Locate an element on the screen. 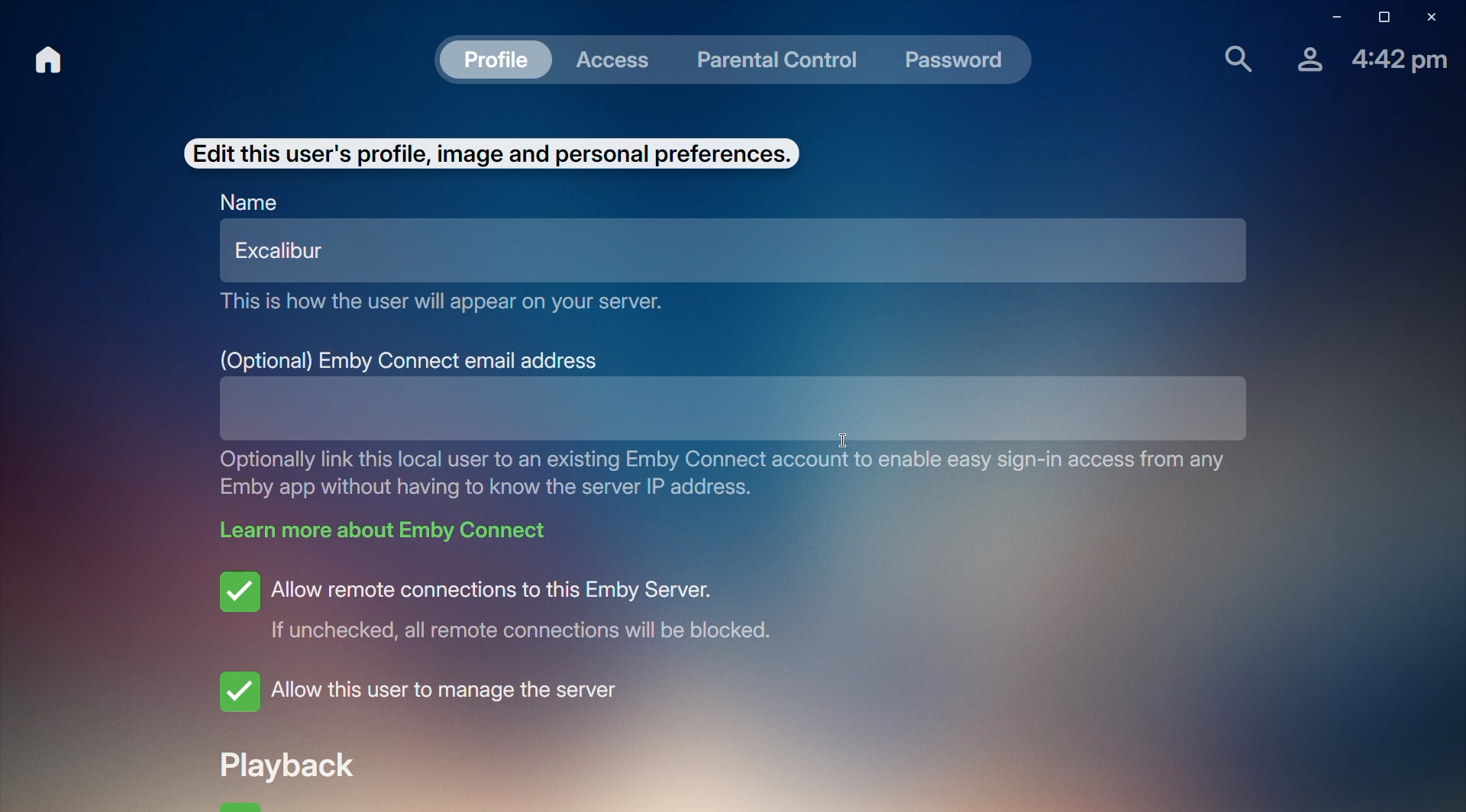 This screenshot has width=1466, height=812. textbox is located at coordinates (683, 404).